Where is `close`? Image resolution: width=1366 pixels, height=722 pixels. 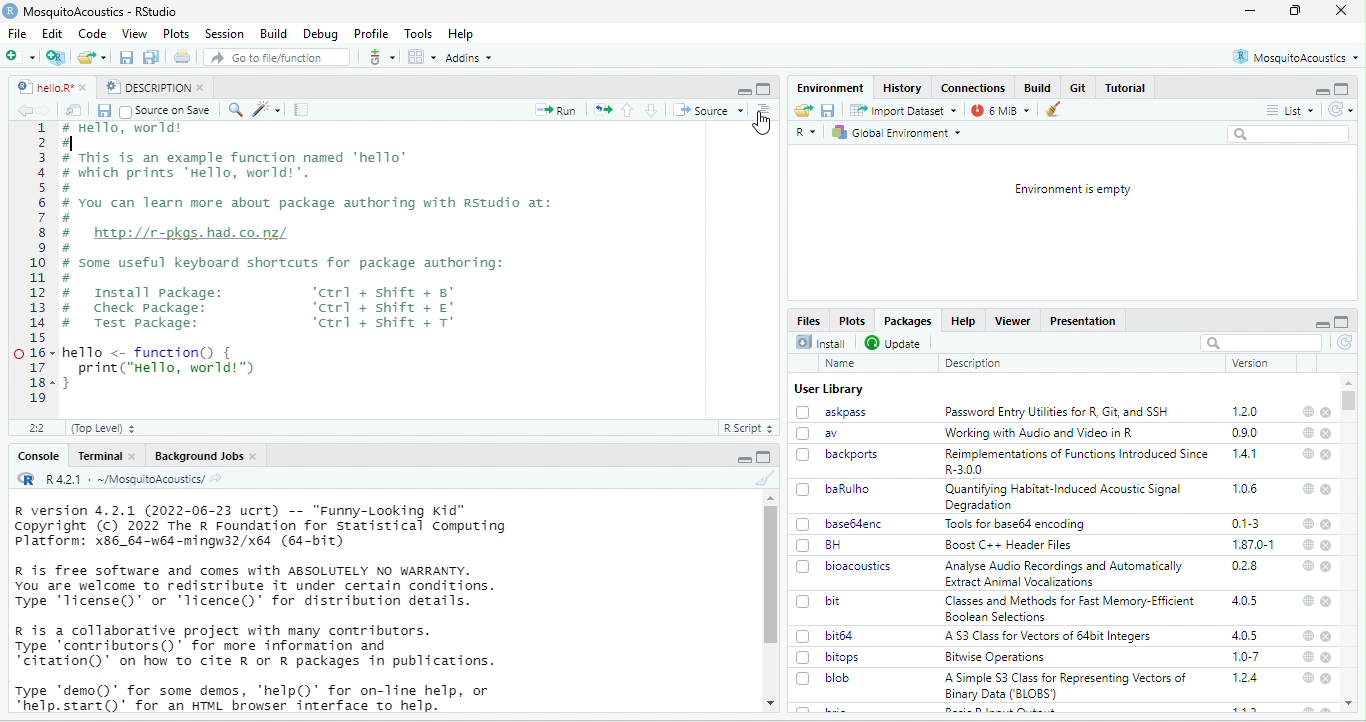 close is located at coordinates (1326, 601).